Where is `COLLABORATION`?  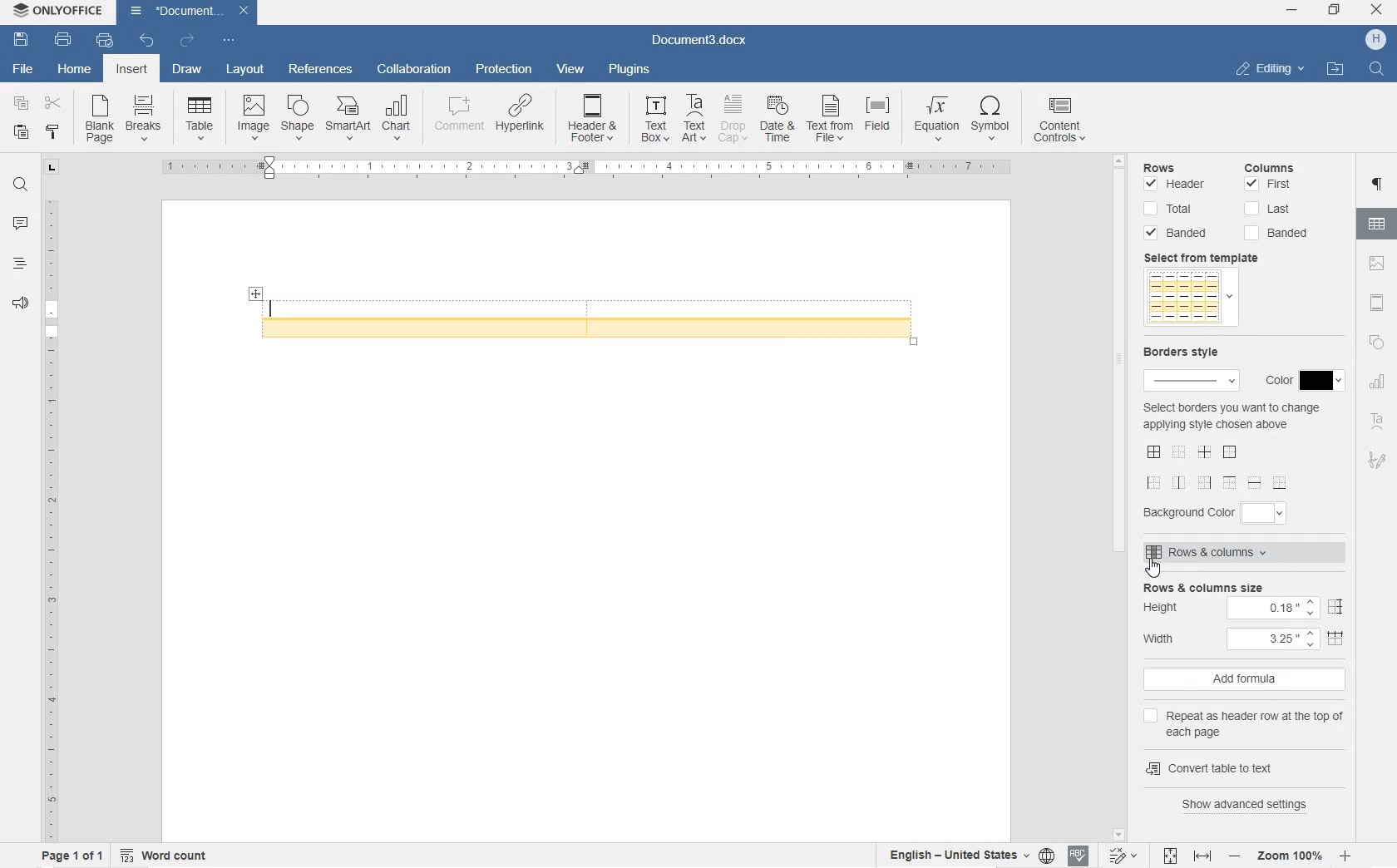
COLLABORATION is located at coordinates (417, 70).